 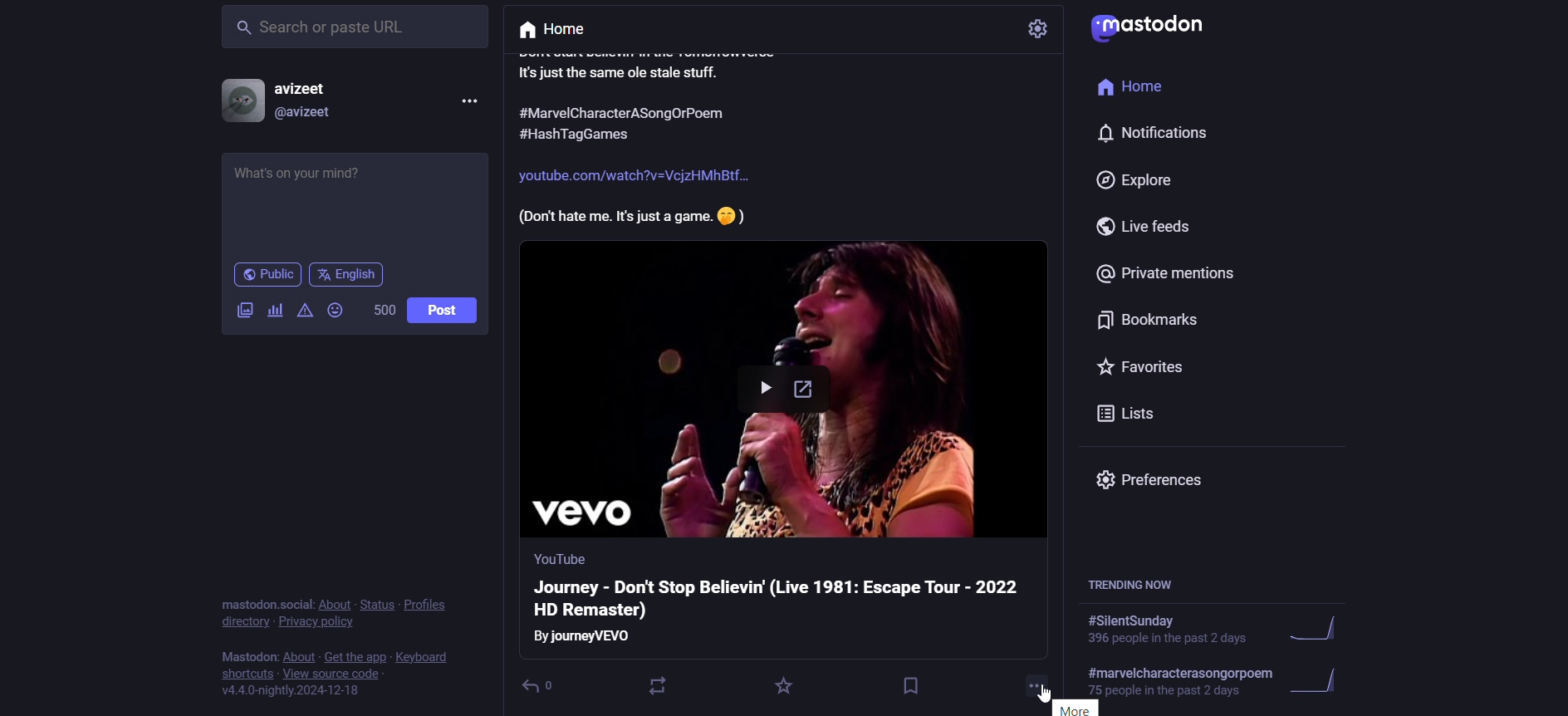 I want to click on setting, so click(x=1038, y=29).